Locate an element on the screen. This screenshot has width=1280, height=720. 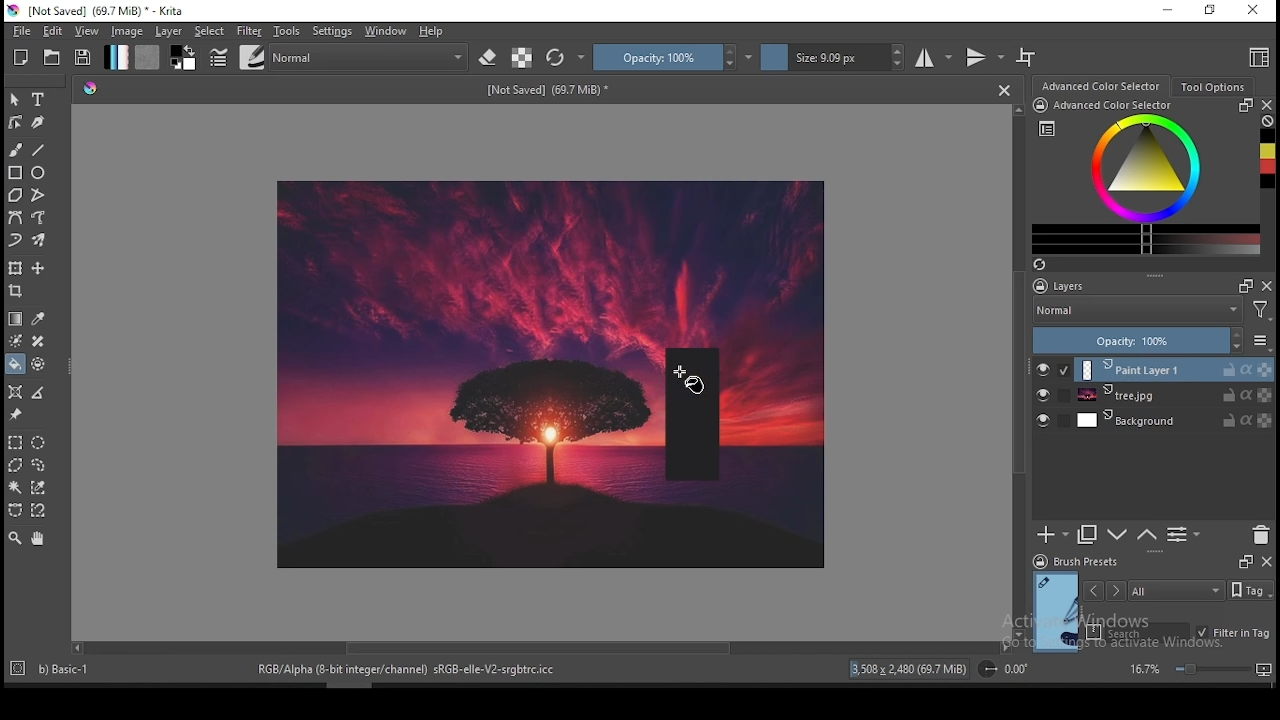
horizontal mirror tool is located at coordinates (935, 57).